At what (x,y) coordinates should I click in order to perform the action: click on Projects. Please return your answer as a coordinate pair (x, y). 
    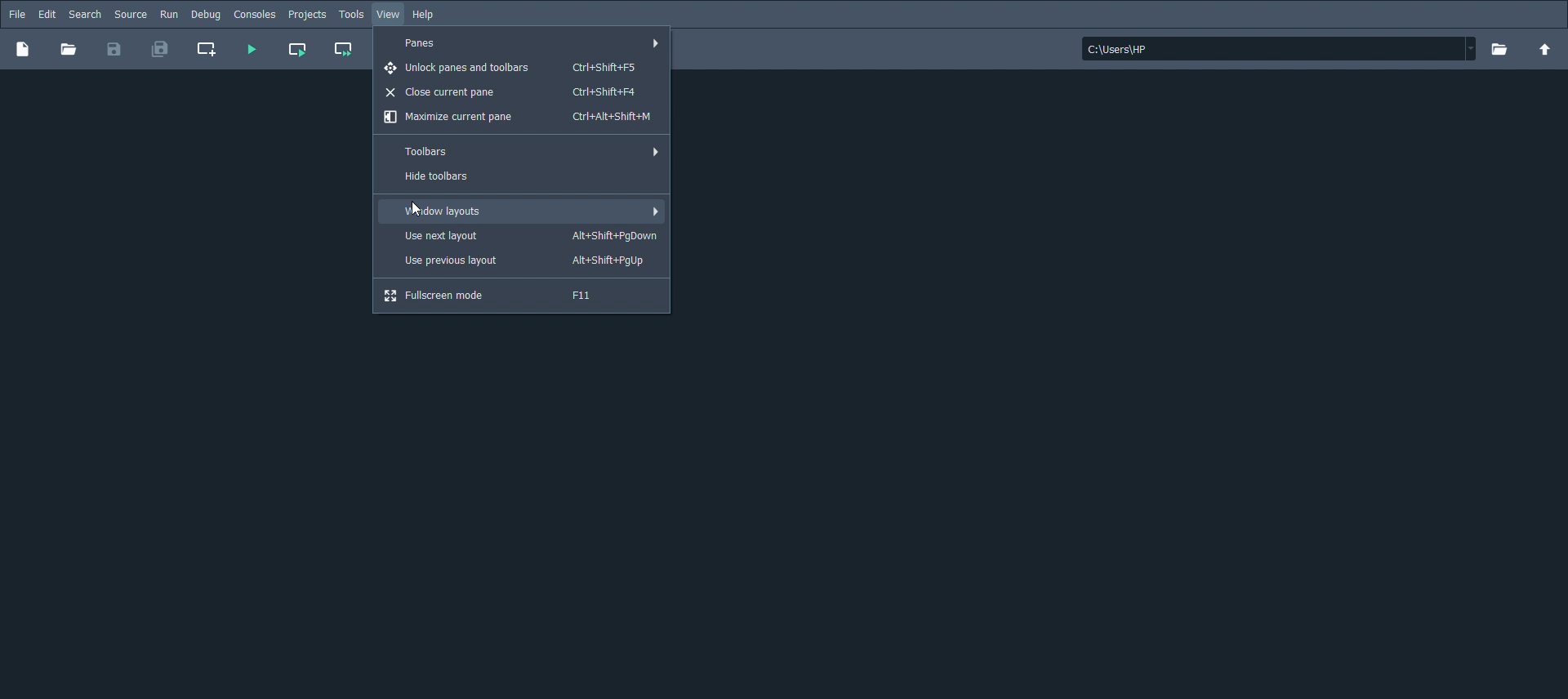
    Looking at the image, I should click on (307, 15).